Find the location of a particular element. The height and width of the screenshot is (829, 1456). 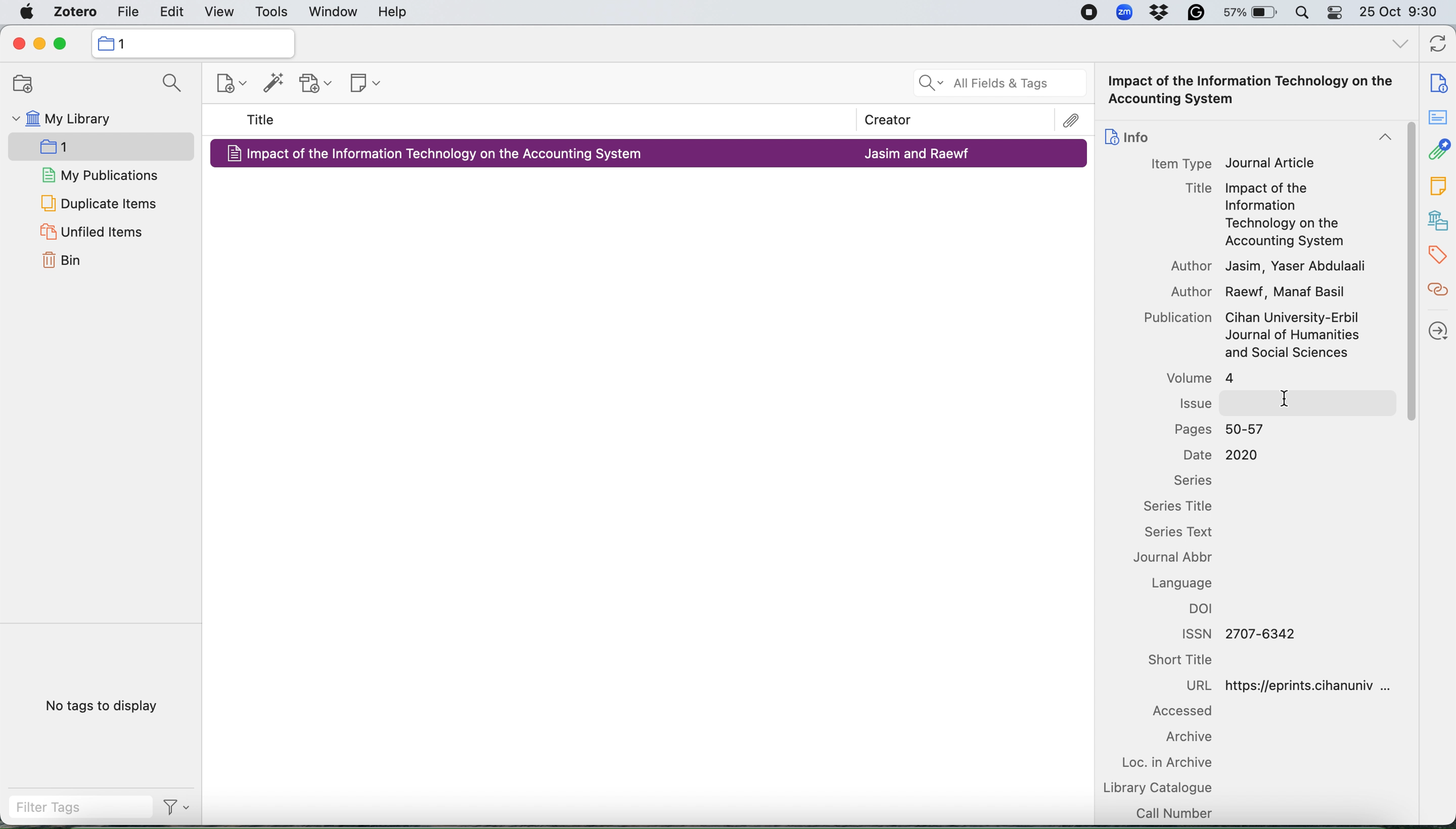

pages 50-57 is located at coordinates (1226, 429).